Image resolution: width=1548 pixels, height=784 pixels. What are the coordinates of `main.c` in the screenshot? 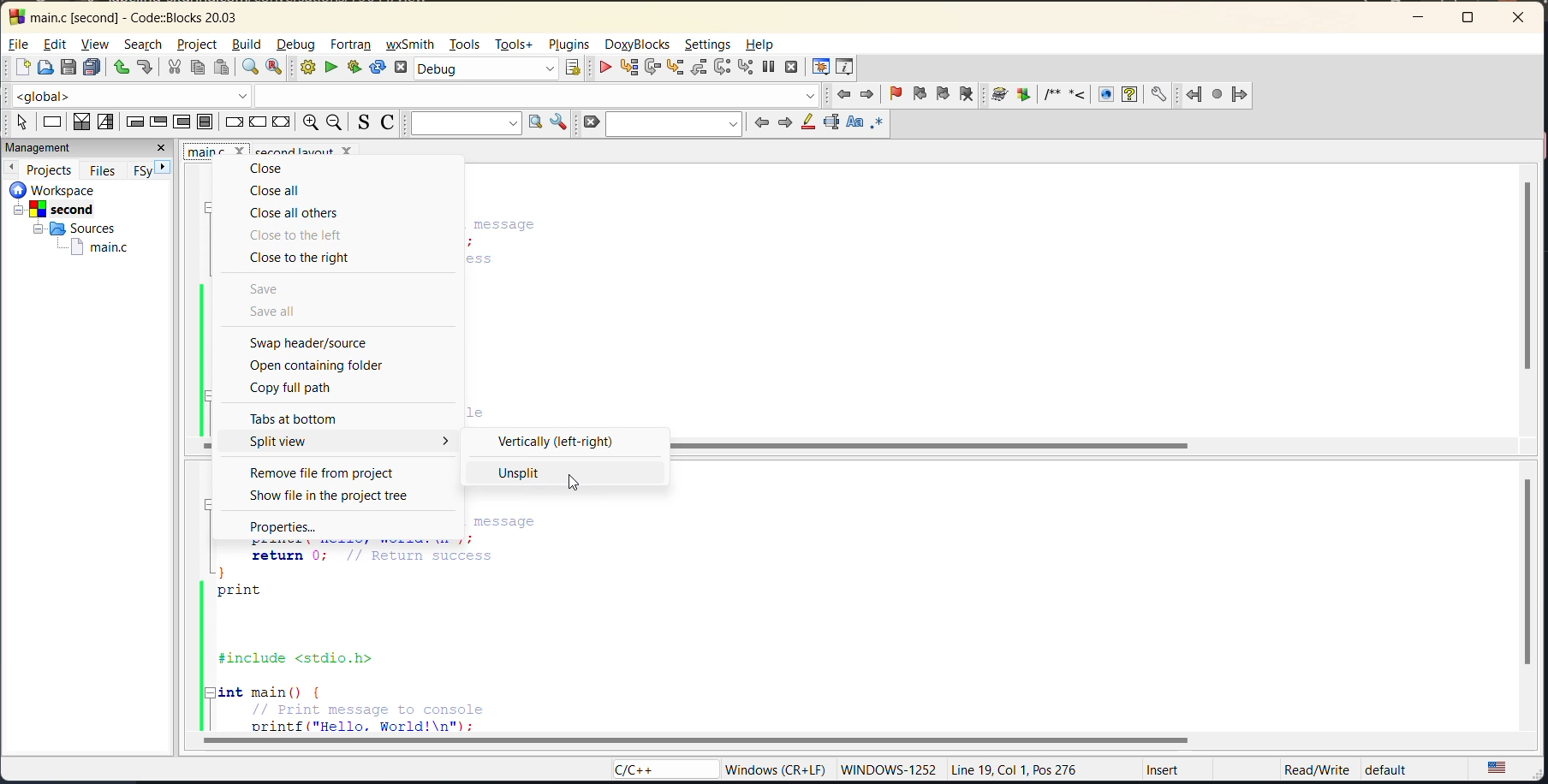 It's located at (94, 247).